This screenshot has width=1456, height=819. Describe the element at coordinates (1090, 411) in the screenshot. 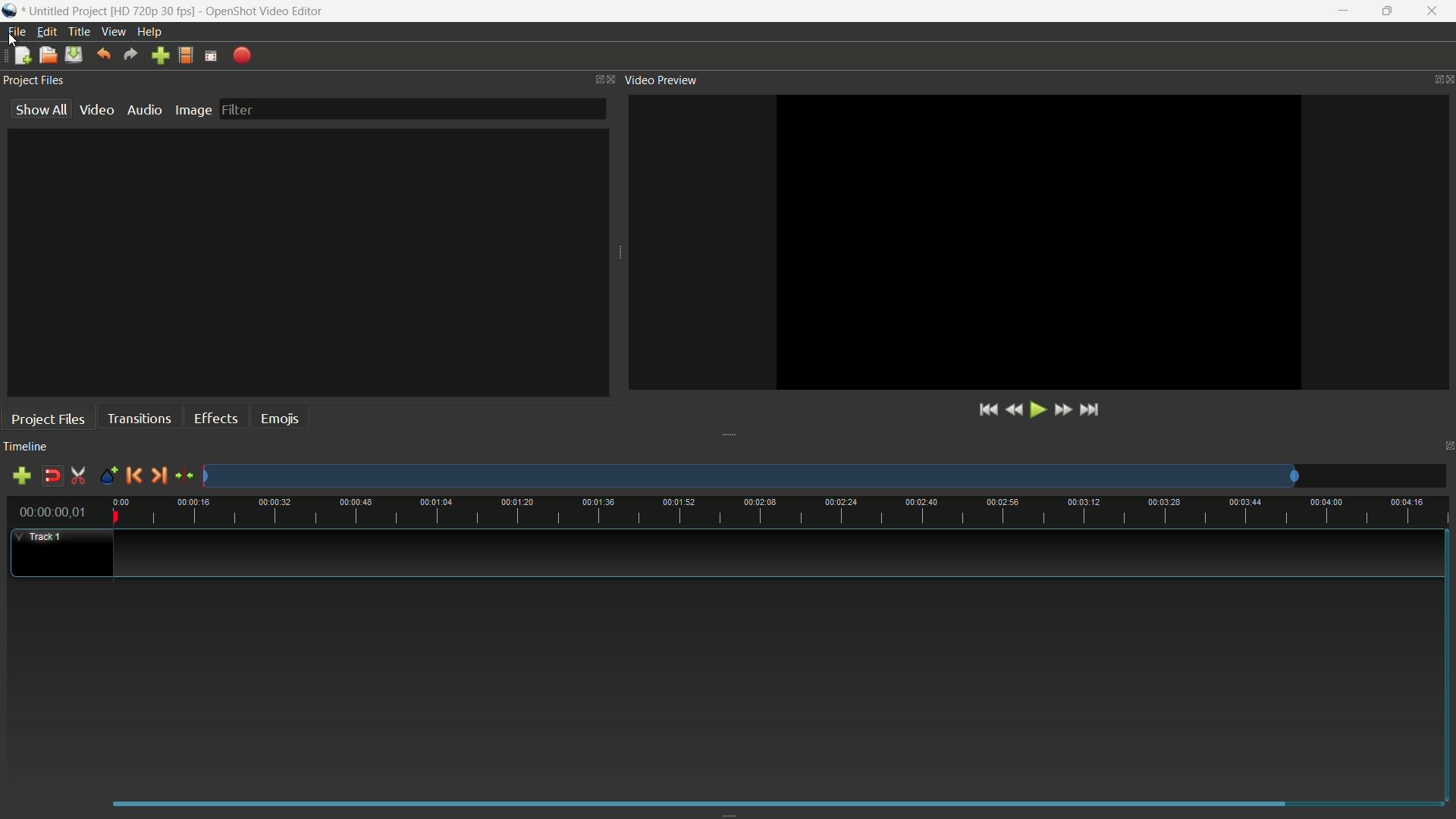

I see `jump to end` at that location.